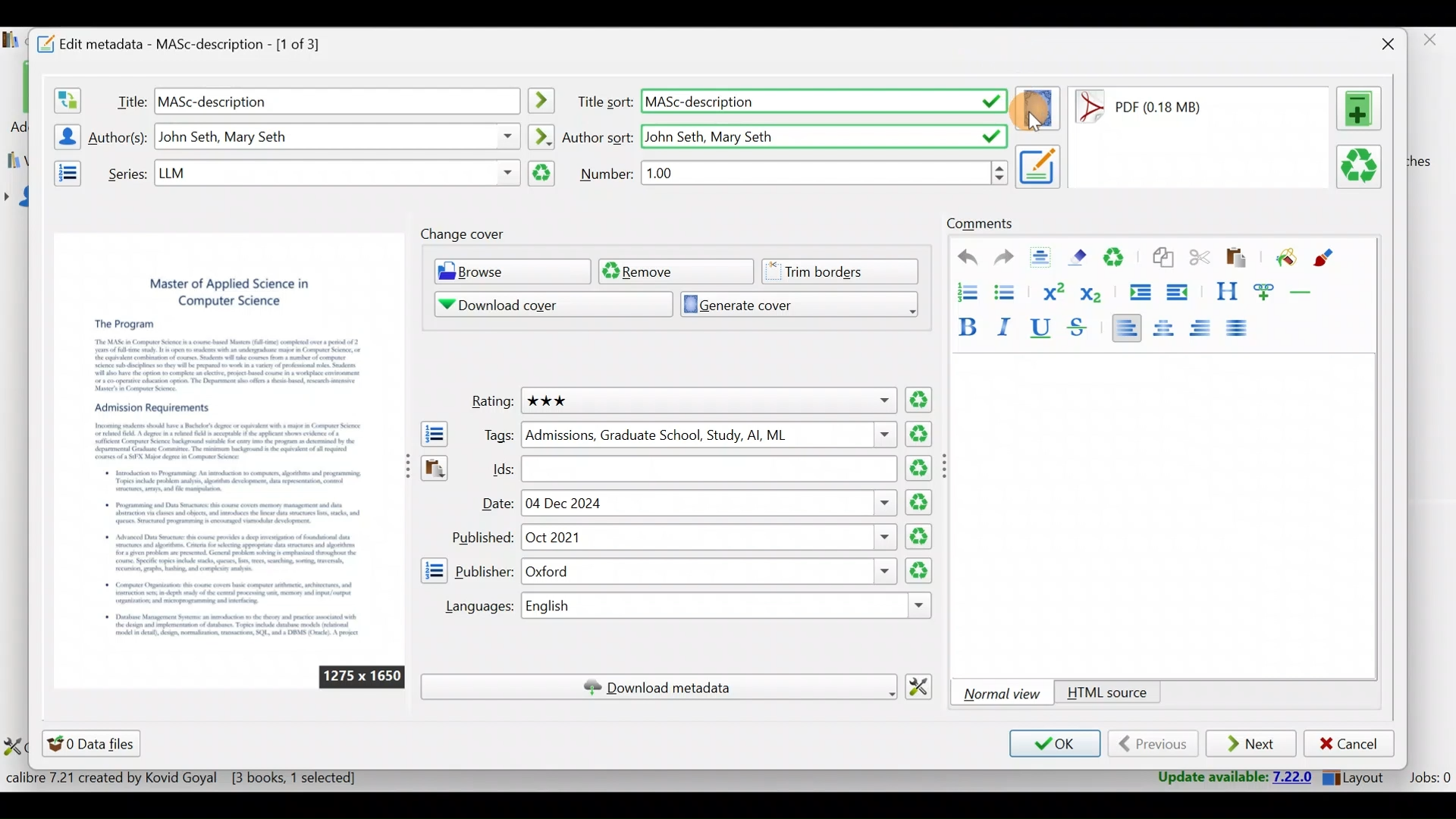  Describe the element at coordinates (1384, 44) in the screenshot. I see `Close` at that location.